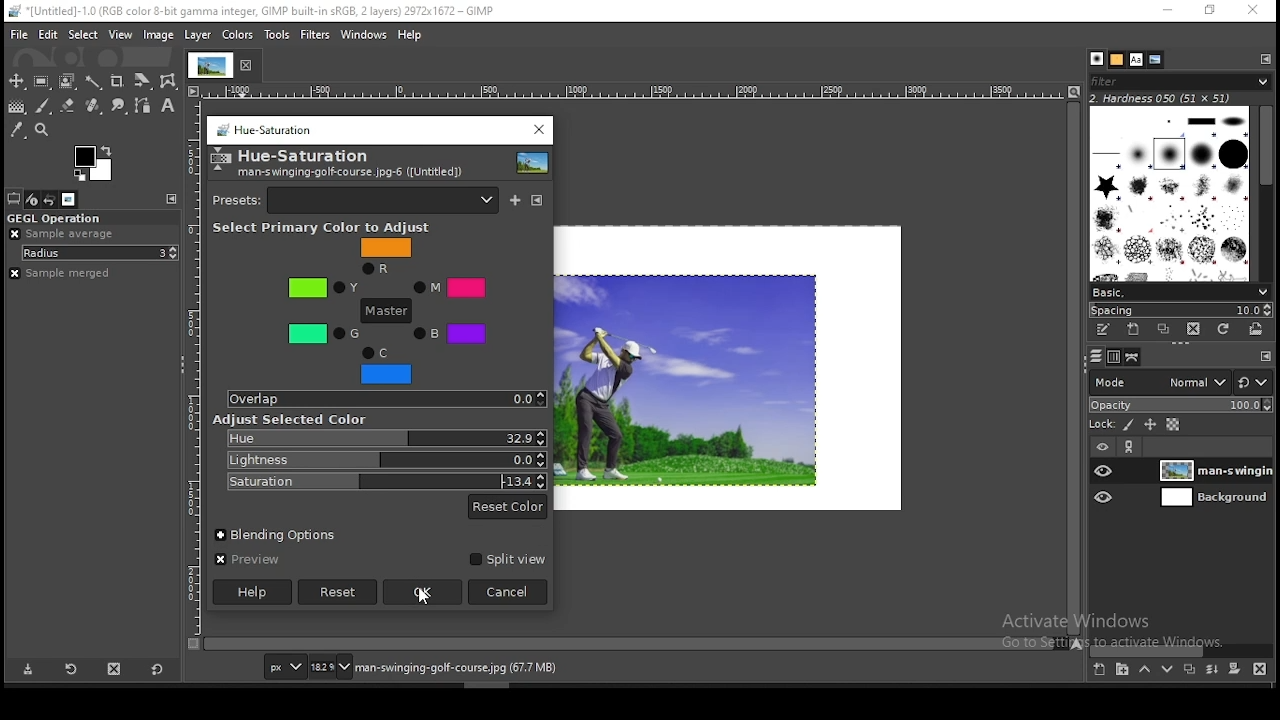 Image resolution: width=1280 pixels, height=720 pixels. Describe the element at coordinates (156, 669) in the screenshot. I see `restore to defaults` at that location.